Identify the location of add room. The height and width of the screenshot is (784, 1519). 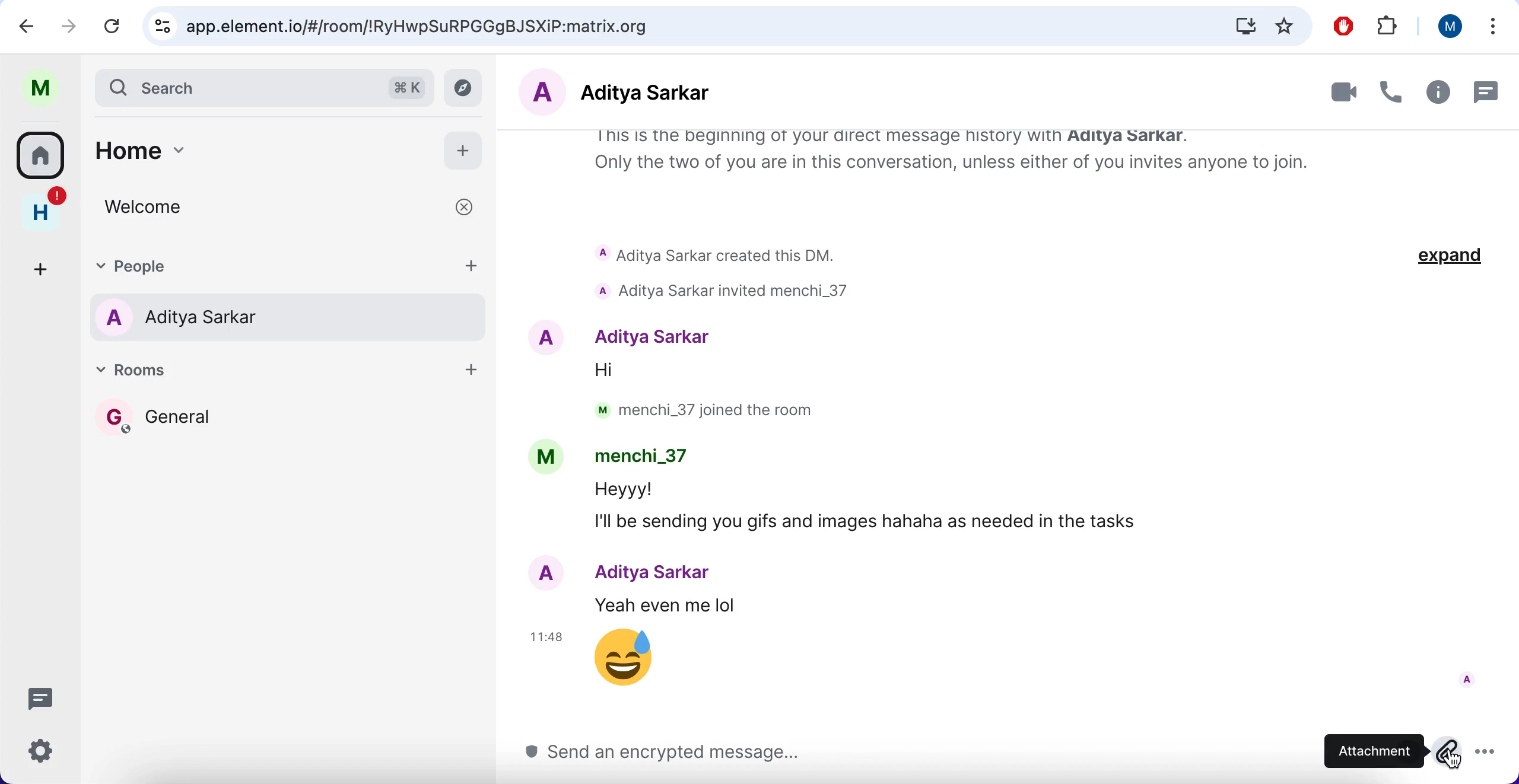
(471, 372).